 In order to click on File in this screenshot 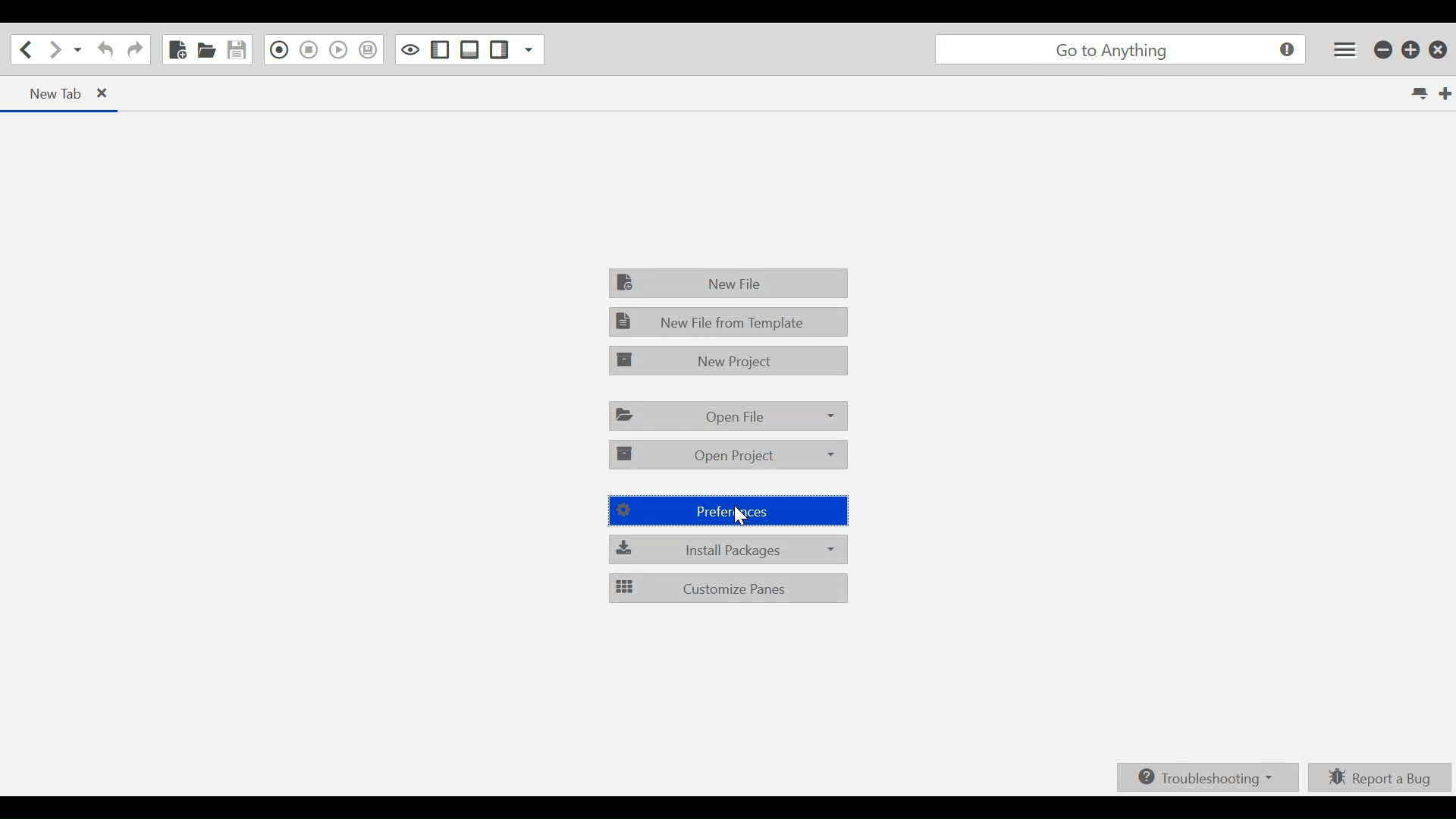, I will do `click(730, 283)`.